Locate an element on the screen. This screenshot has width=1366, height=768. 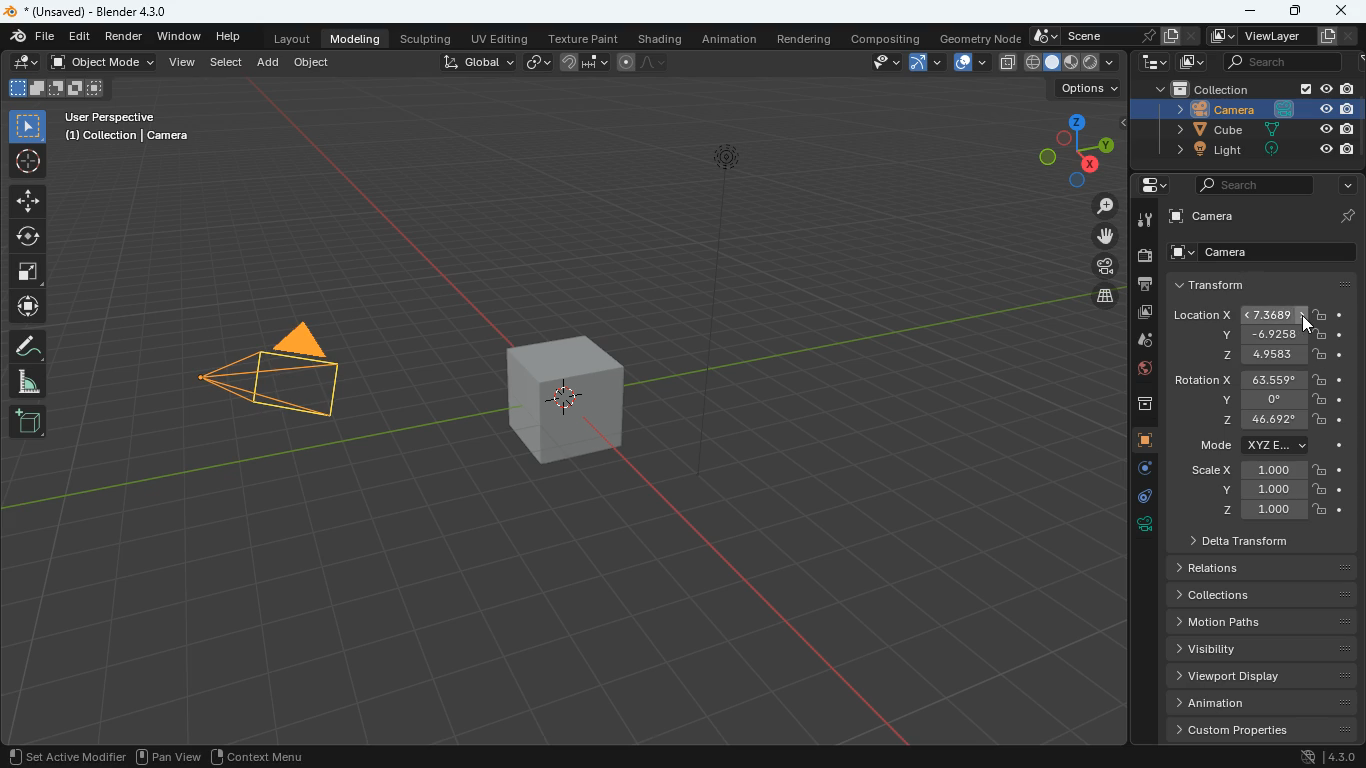
draw is located at coordinates (641, 64).